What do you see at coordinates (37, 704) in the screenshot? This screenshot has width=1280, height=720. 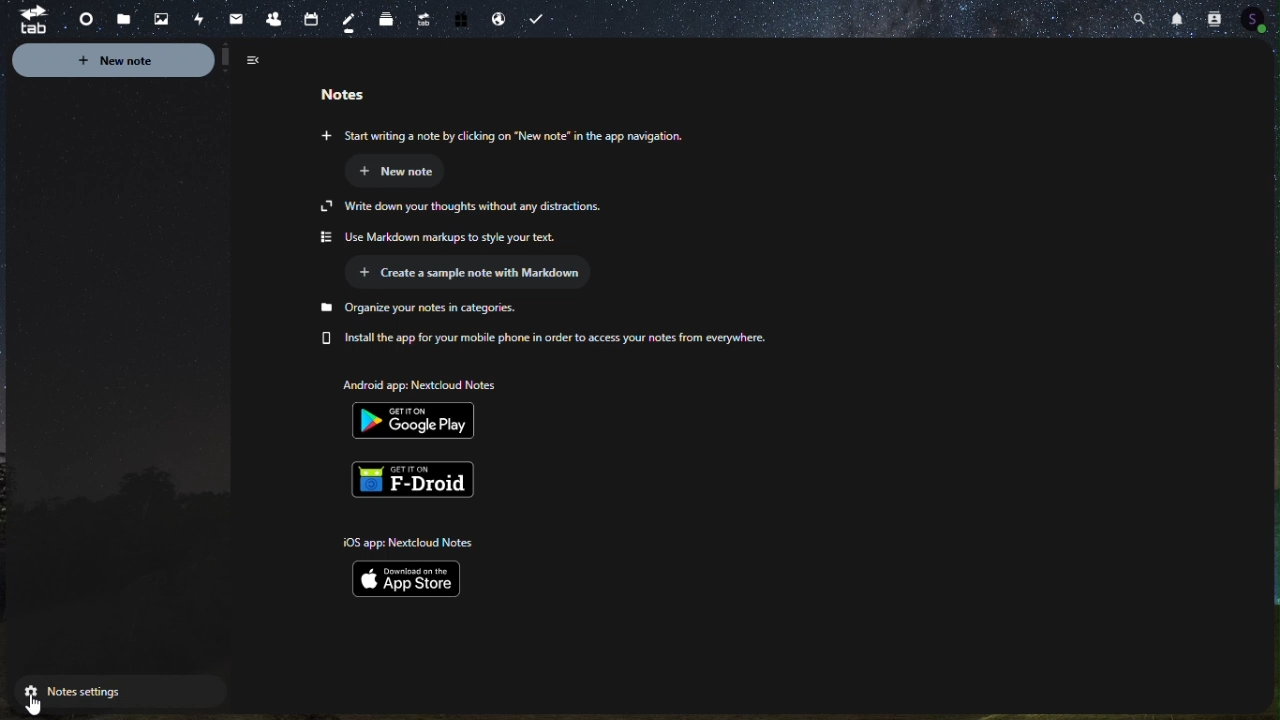 I see `cursor` at bounding box center [37, 704].